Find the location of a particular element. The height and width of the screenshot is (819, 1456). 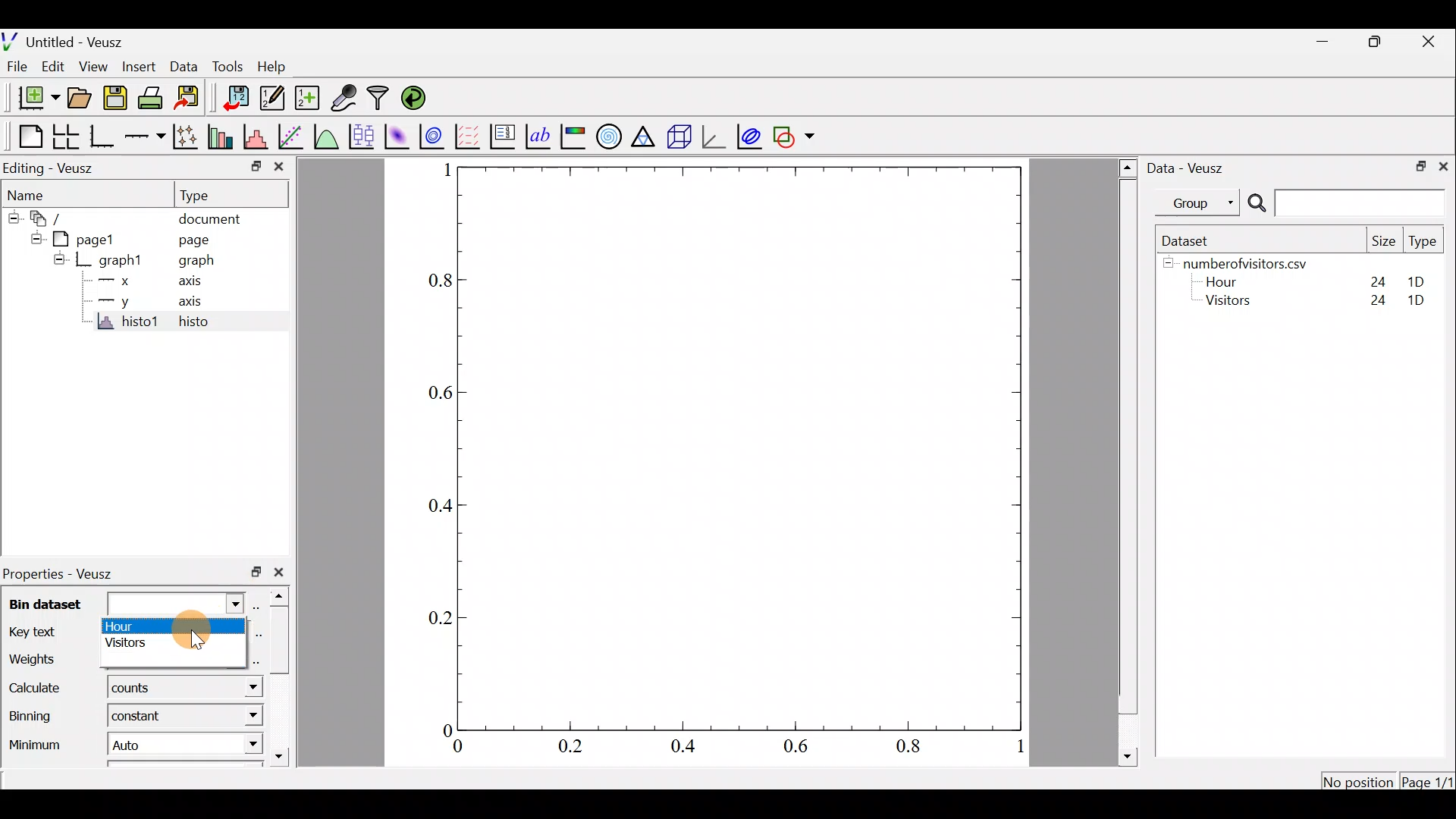

plot box plots is located at coordinates (364, 135).